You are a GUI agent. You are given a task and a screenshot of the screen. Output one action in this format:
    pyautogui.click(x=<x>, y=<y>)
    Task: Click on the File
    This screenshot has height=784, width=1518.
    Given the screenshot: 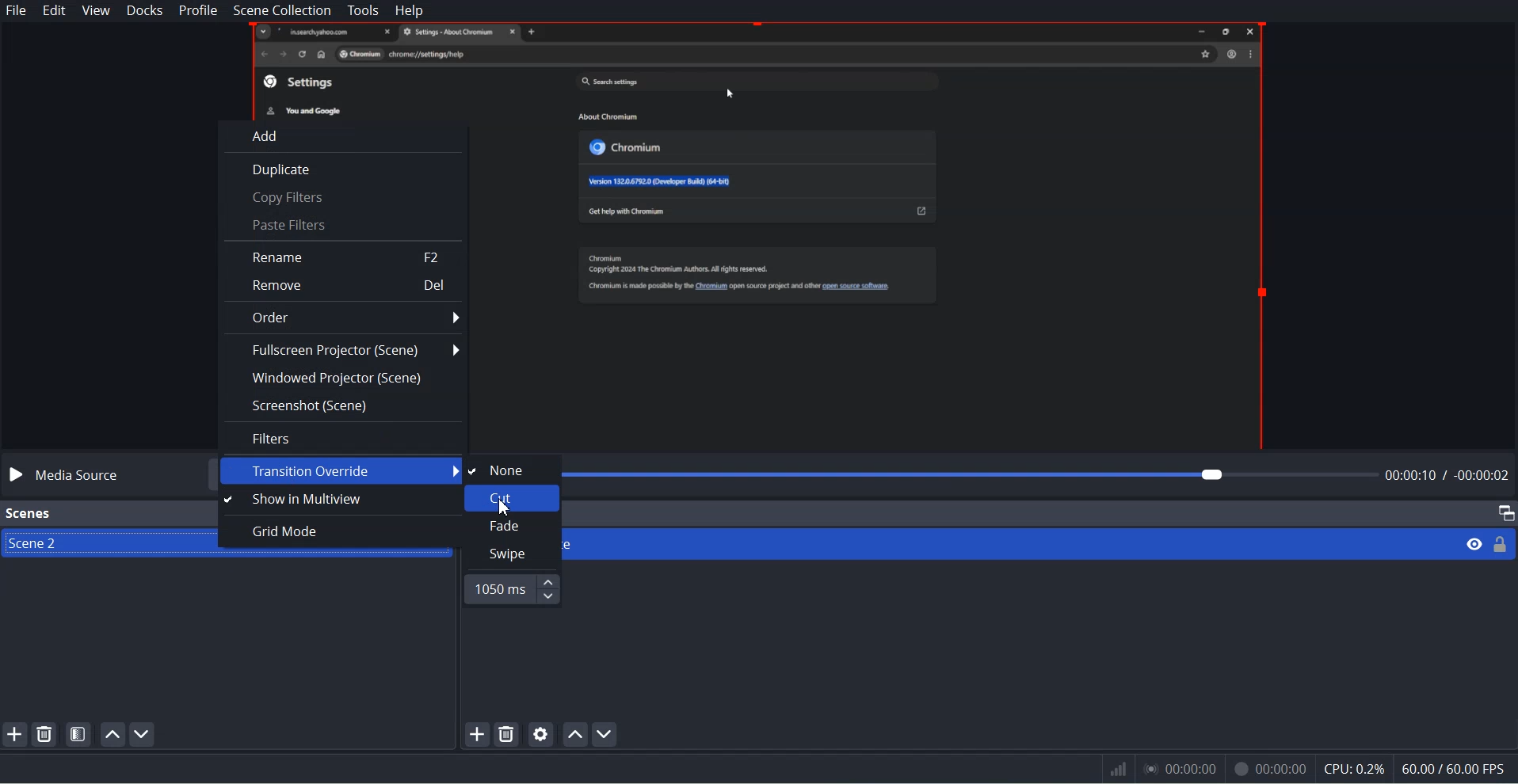 What is the action you would take?
    pyautogui.click(x=17, y=10)
    